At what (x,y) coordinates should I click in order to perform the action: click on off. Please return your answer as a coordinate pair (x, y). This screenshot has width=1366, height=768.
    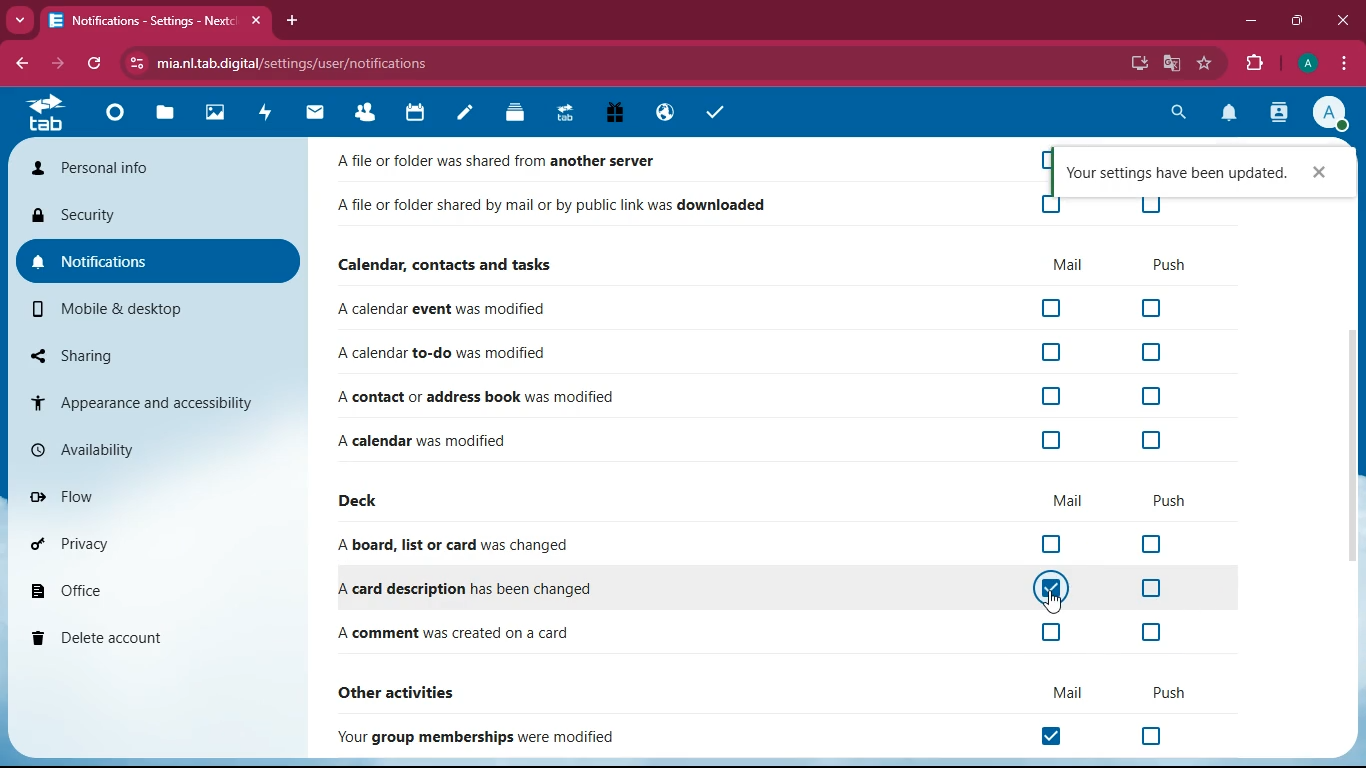
    Looking at the image, I should click on (1053, 204).